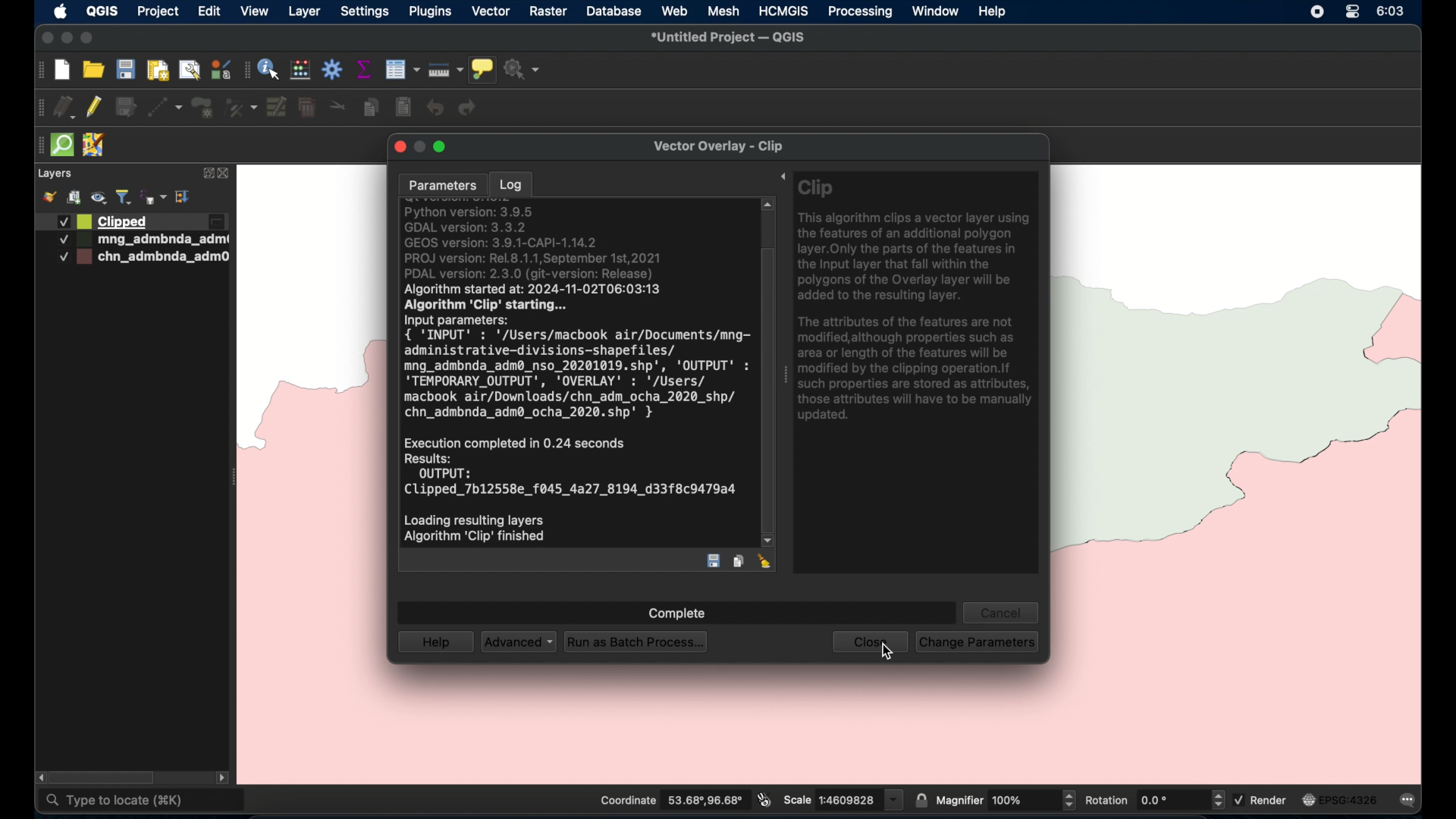 The image size is (1456, 819). I want to click on quick osm, so click(63, 145).